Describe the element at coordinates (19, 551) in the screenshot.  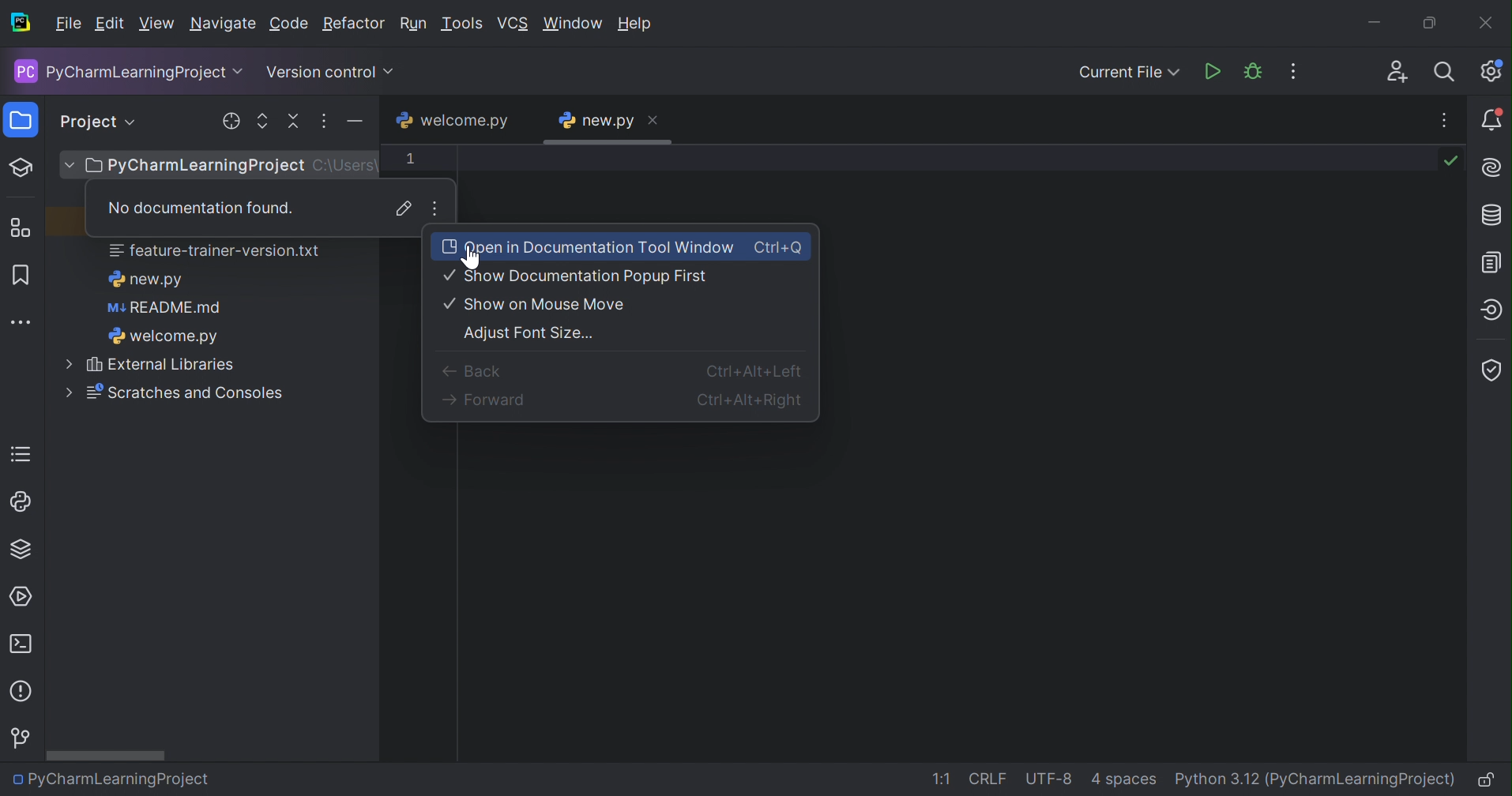
I see `Python Packages` at that location.